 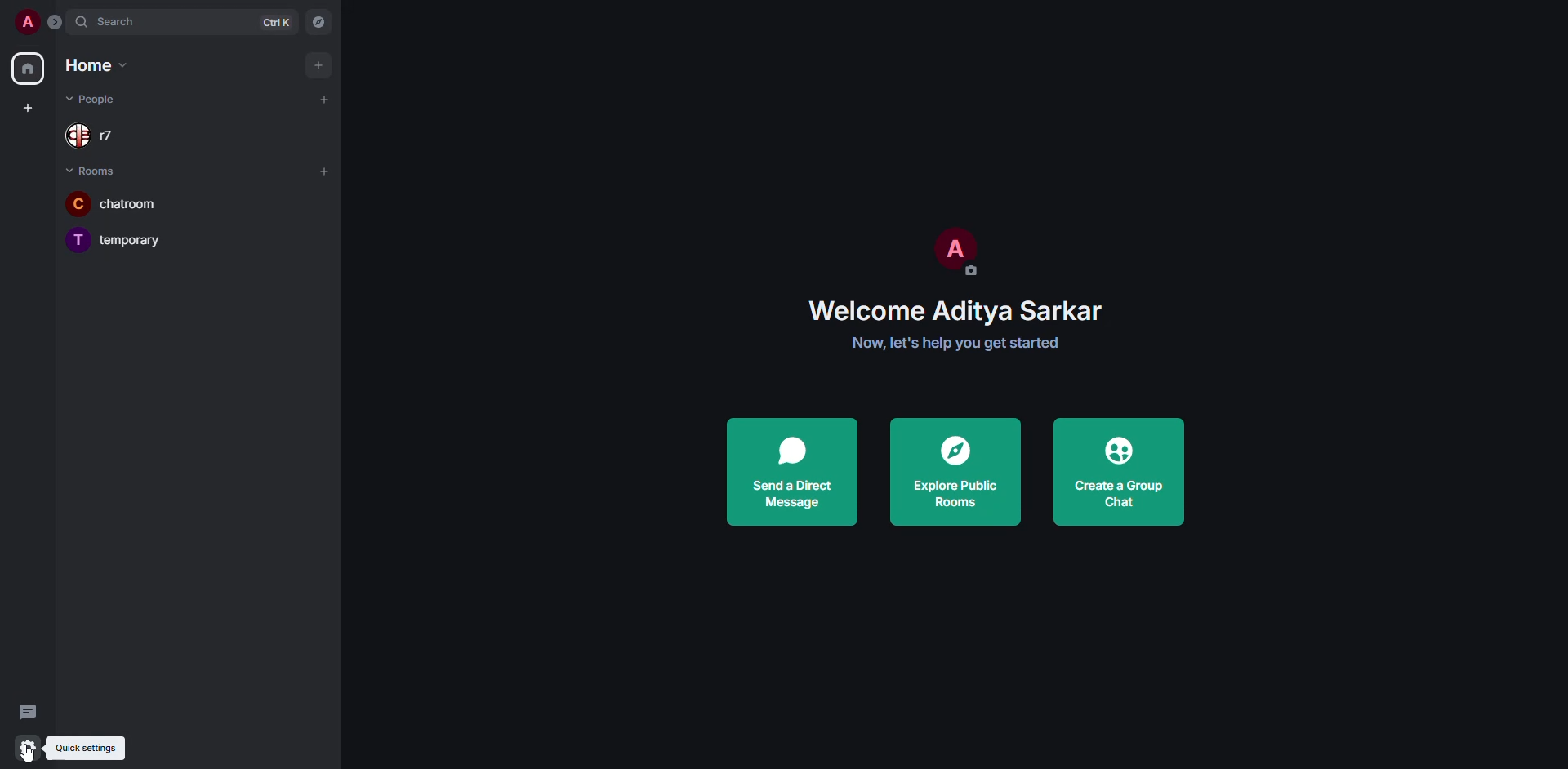 I want to click on expand, so click(x=55, y=23).